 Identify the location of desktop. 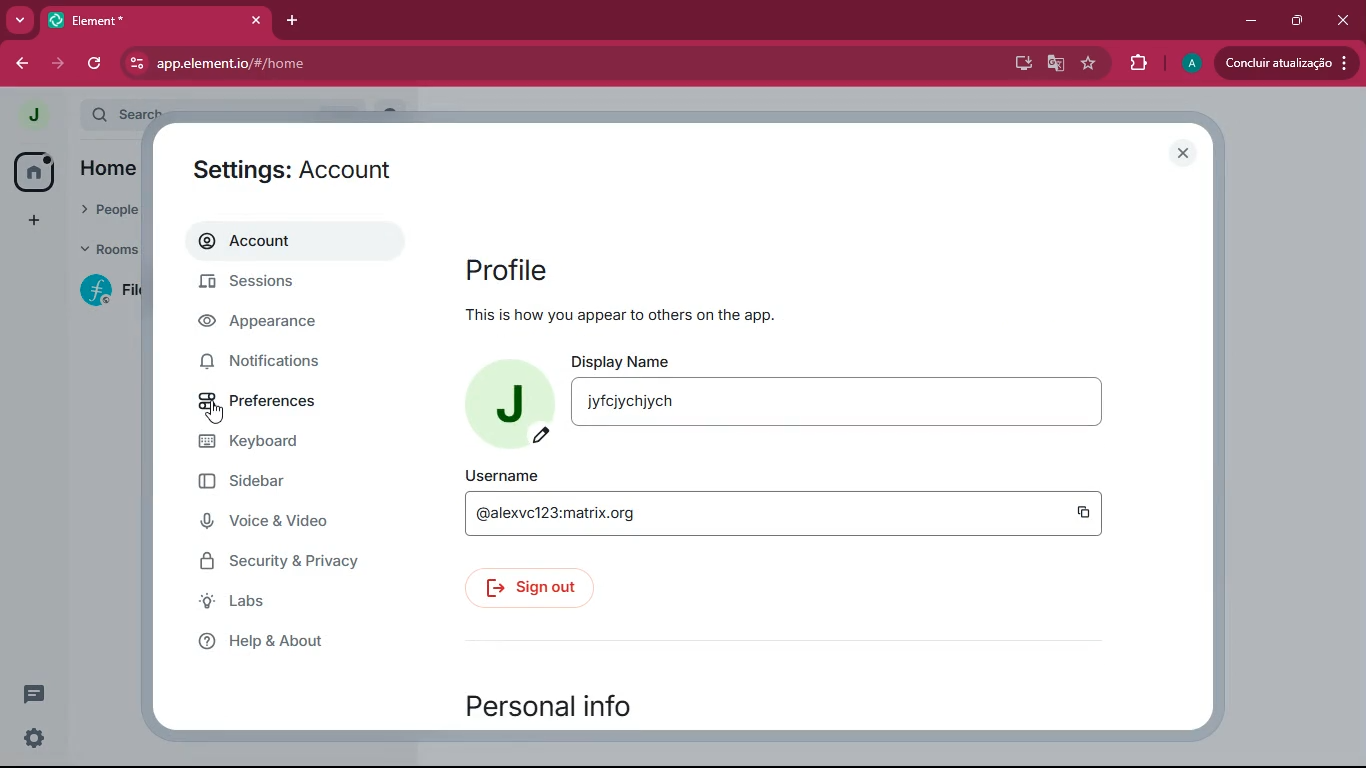
(1021, 64).